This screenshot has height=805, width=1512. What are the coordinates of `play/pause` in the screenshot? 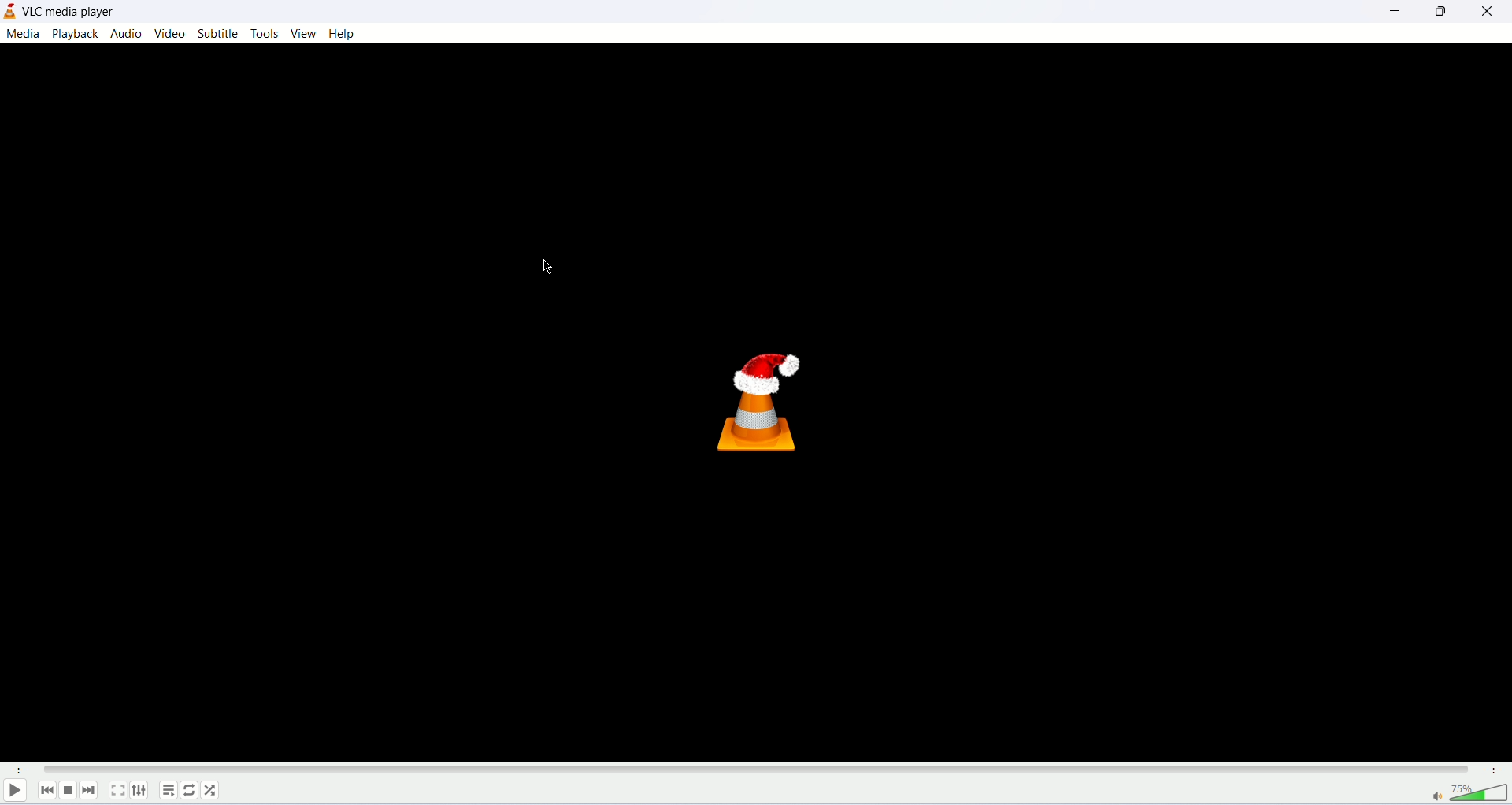 It's located at (14, 792).